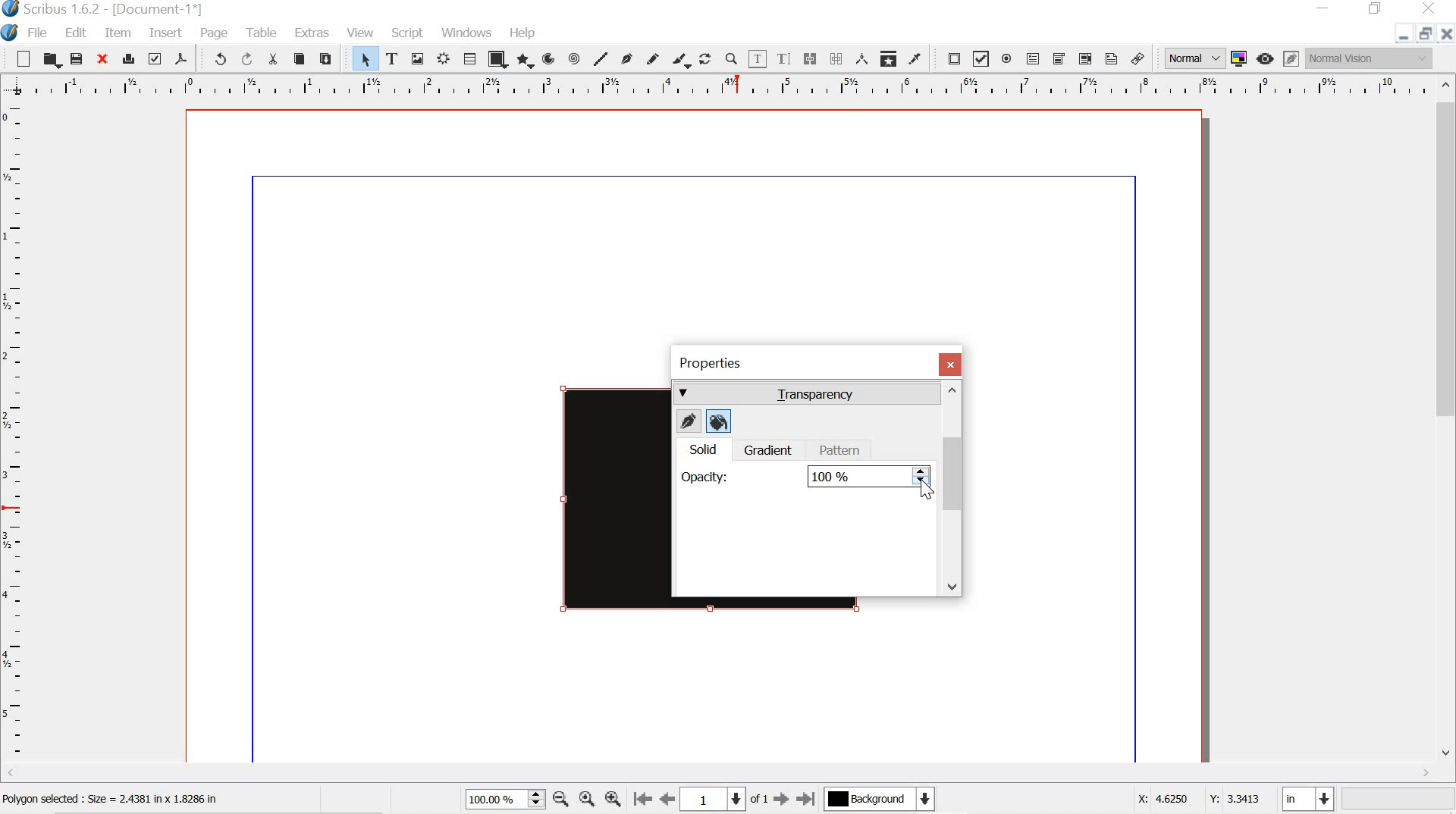 The image size is (1456, 814). What do you see at coordinates (361, 31) in the screenshot?
I see `view` at bounding box center [361, 31].